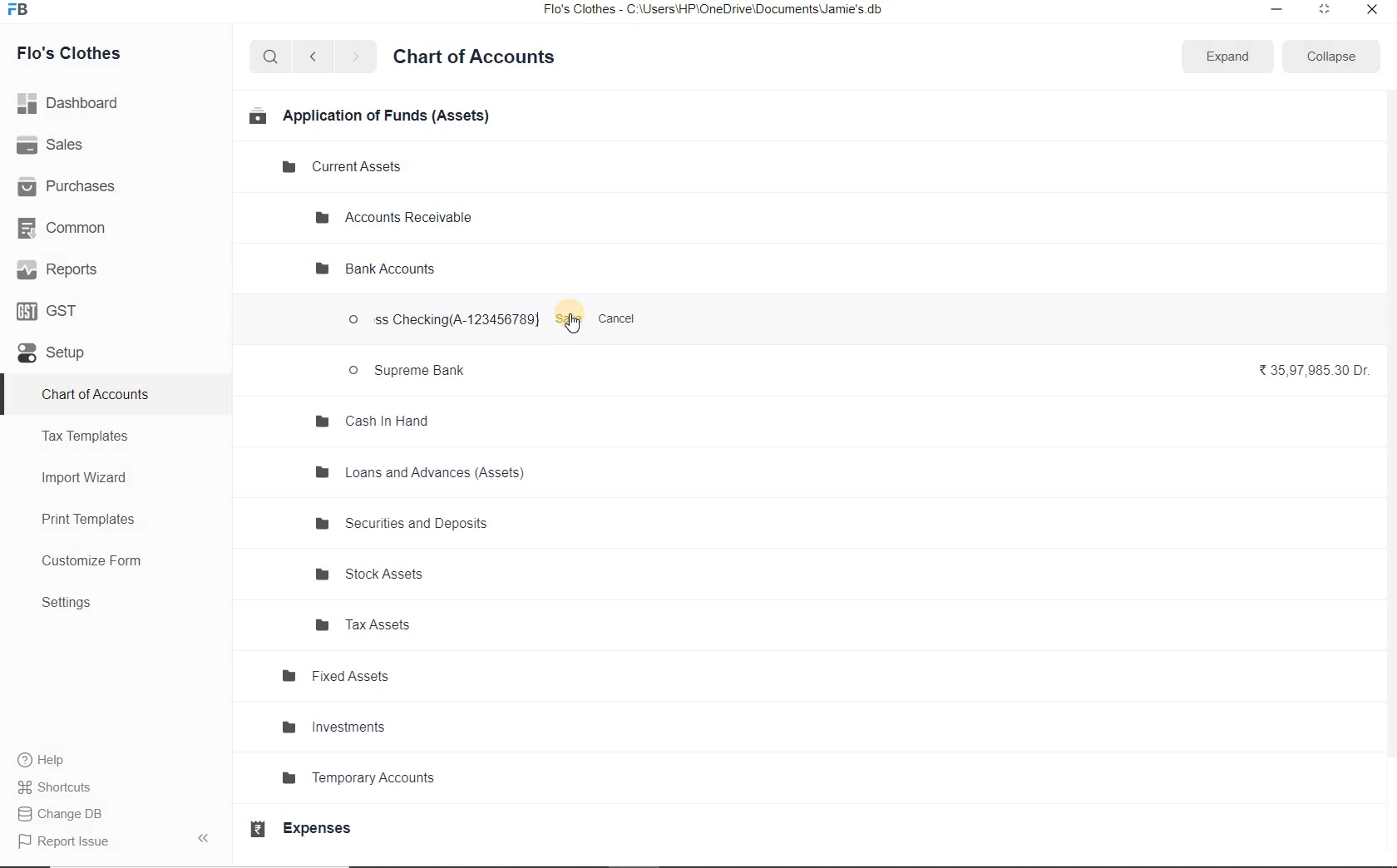 This screenshot has height=868, width=1397. Describe the element at coordinates (105, 480) in the screenshot. I see `Import Wizard` at that location.